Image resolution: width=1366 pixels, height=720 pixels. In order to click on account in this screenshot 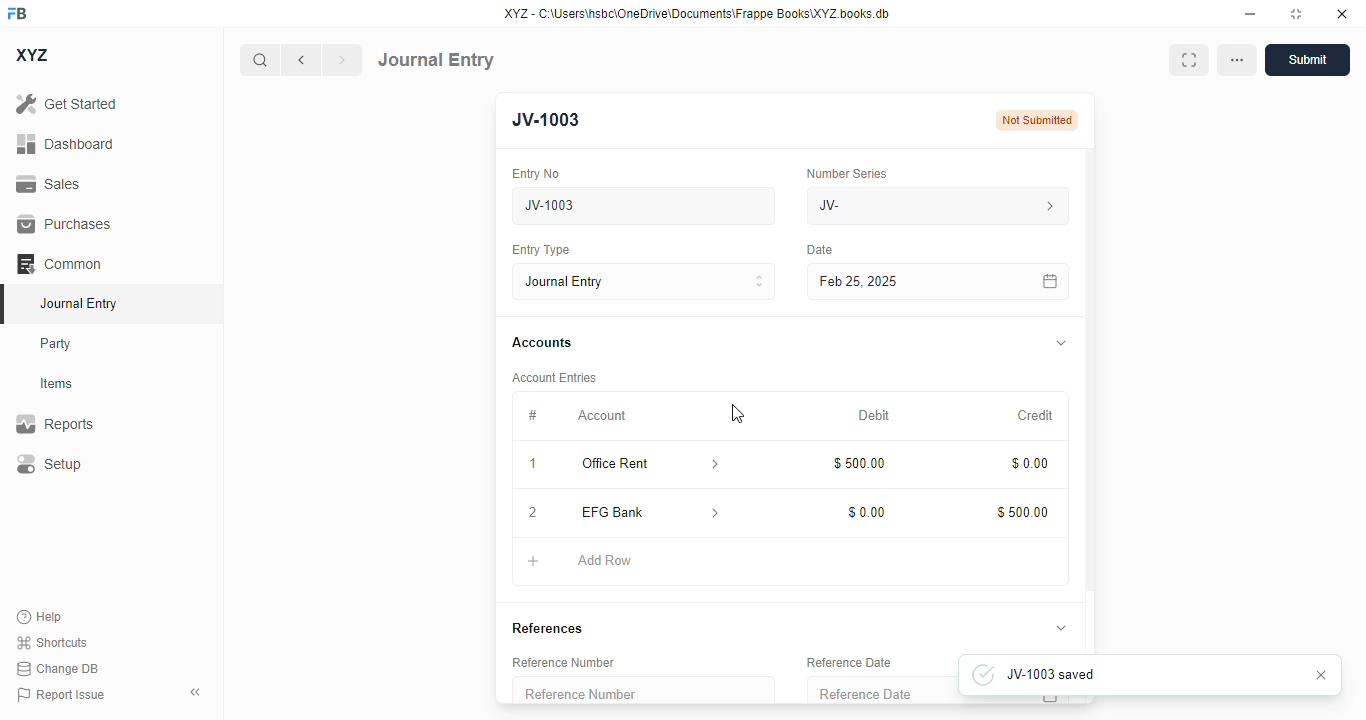, I will do `click(602, 416)`.